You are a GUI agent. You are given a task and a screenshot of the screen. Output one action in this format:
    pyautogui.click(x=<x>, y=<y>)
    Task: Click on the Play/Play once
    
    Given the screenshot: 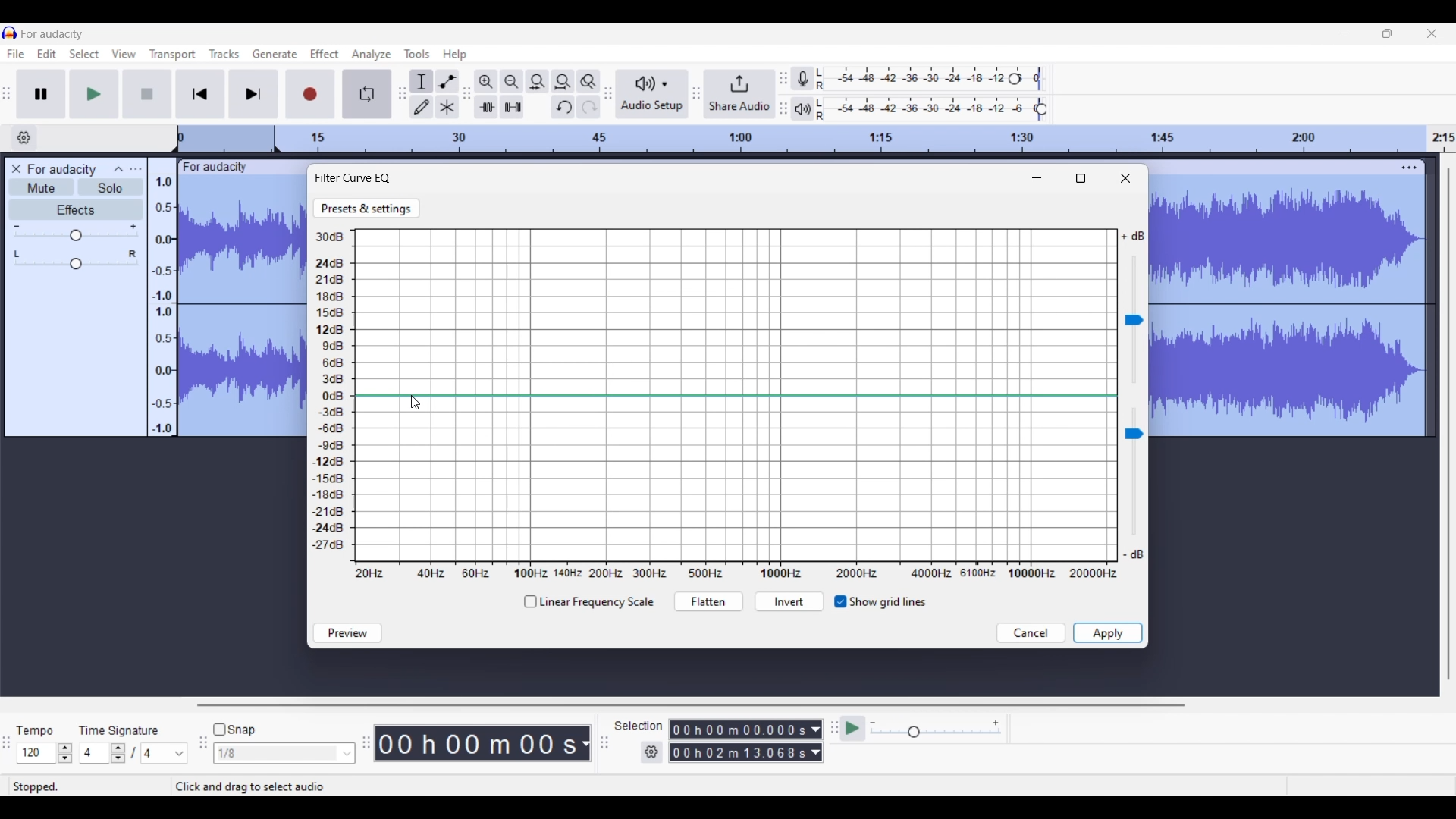 What is the action you would take?
    pyautogui.click(x=93, y=94)
    